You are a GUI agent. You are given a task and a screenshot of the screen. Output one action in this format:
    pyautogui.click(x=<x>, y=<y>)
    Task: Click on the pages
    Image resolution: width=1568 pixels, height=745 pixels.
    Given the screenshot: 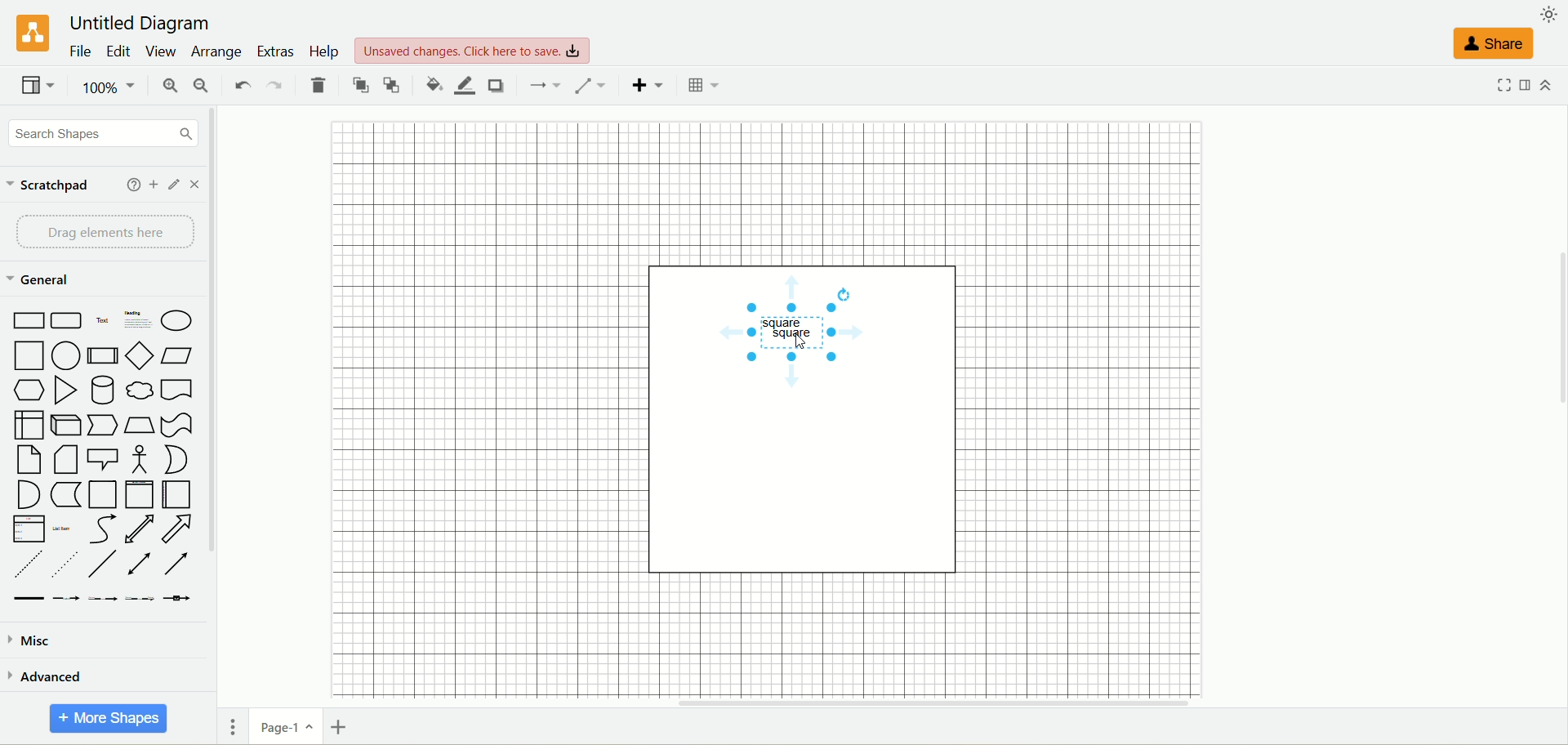 What is the action you would take?
    pyautogui.click(x=232, y=726)
    